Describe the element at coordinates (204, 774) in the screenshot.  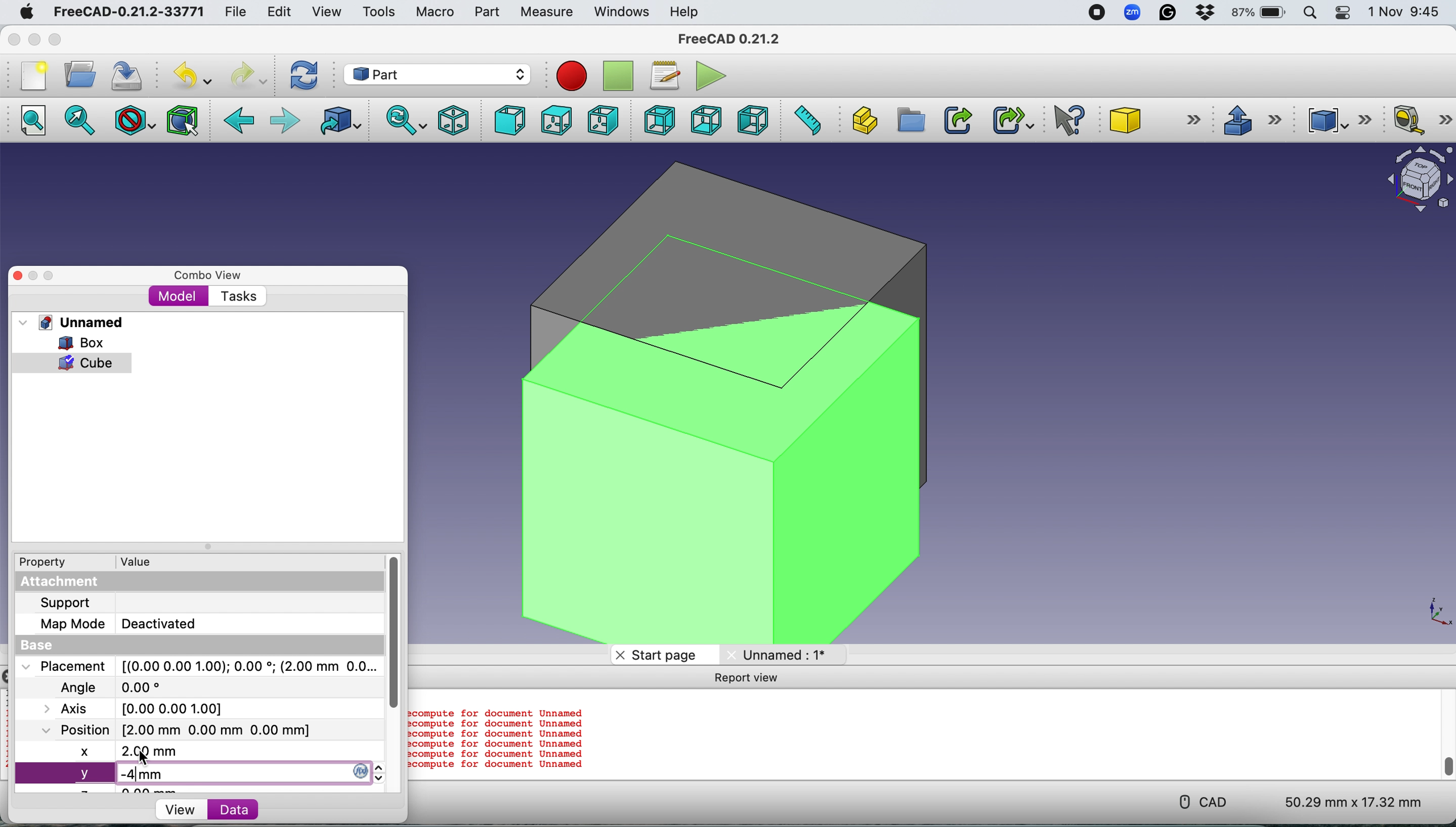
I see `y -4 mm` at that location.